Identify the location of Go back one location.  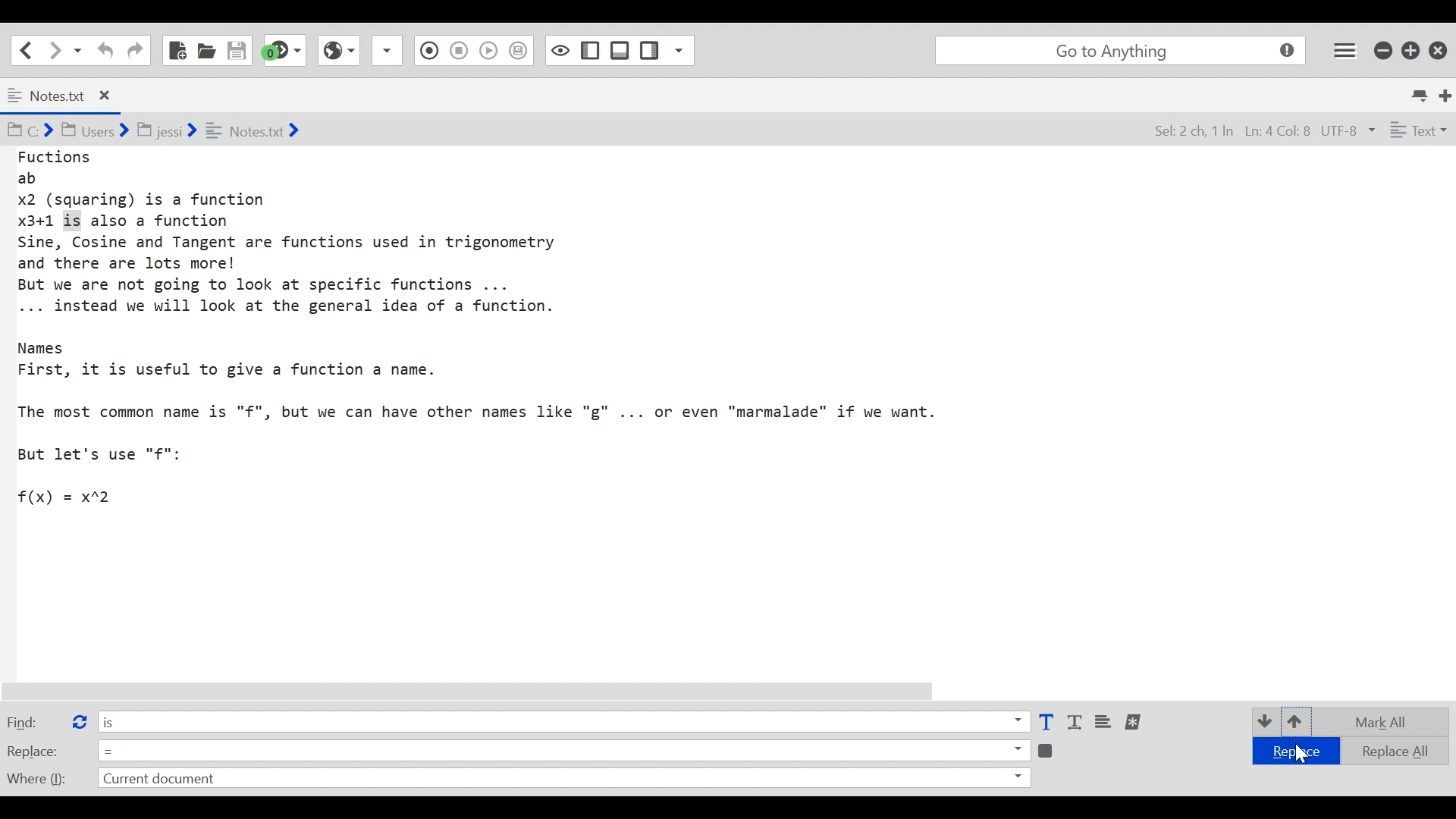
(22, 49).